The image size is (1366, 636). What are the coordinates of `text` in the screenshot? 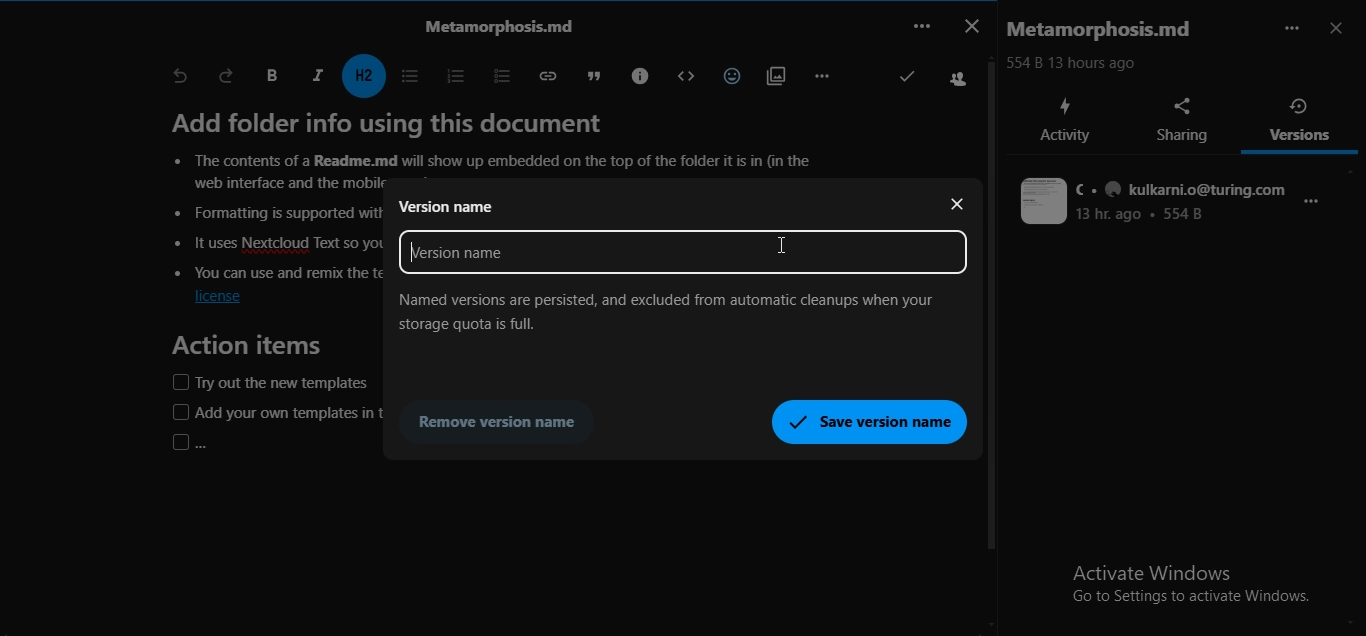 It's located at (493, 25).